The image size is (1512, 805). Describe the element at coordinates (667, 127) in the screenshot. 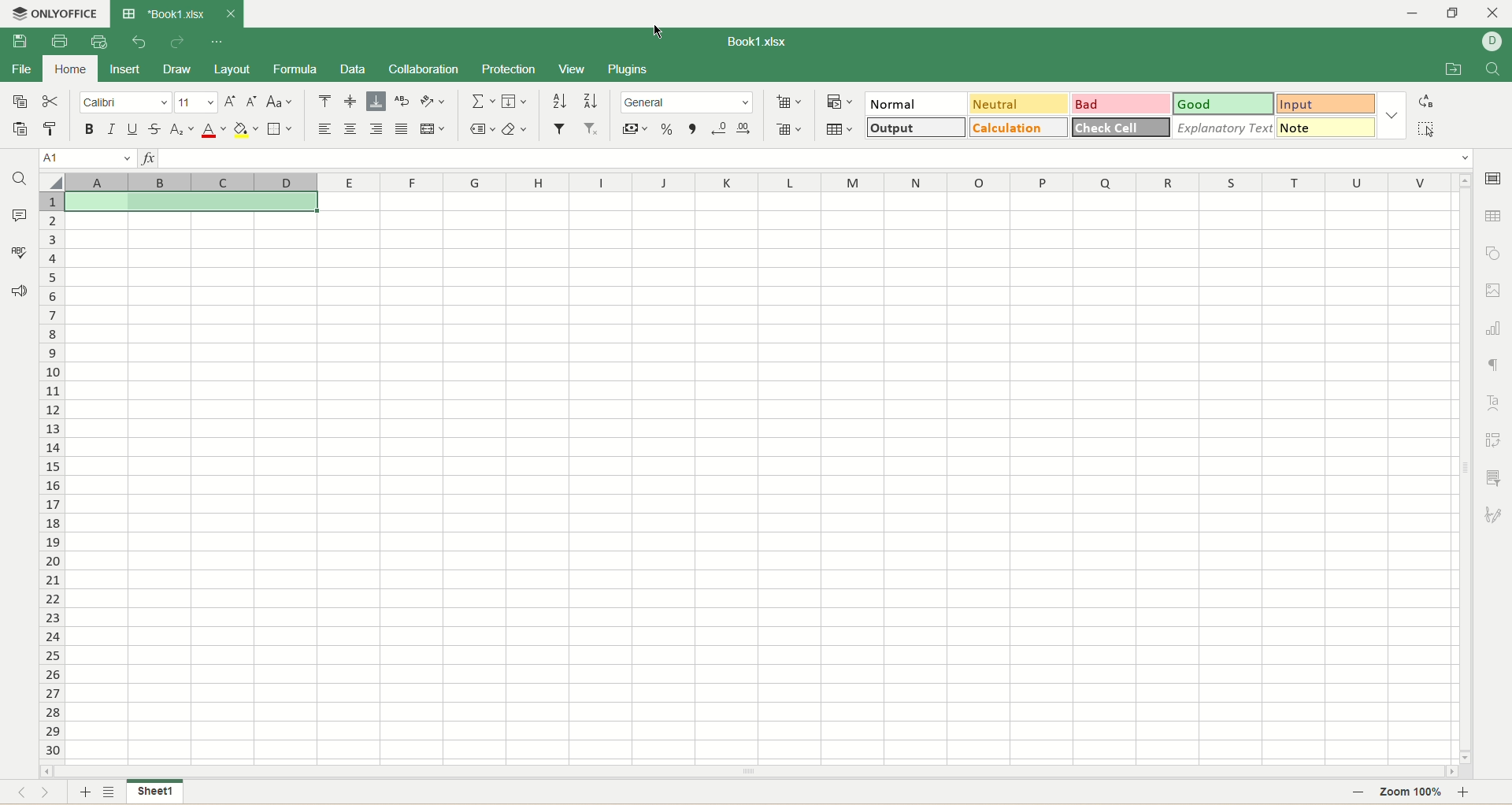

I see `percent format` at that location.